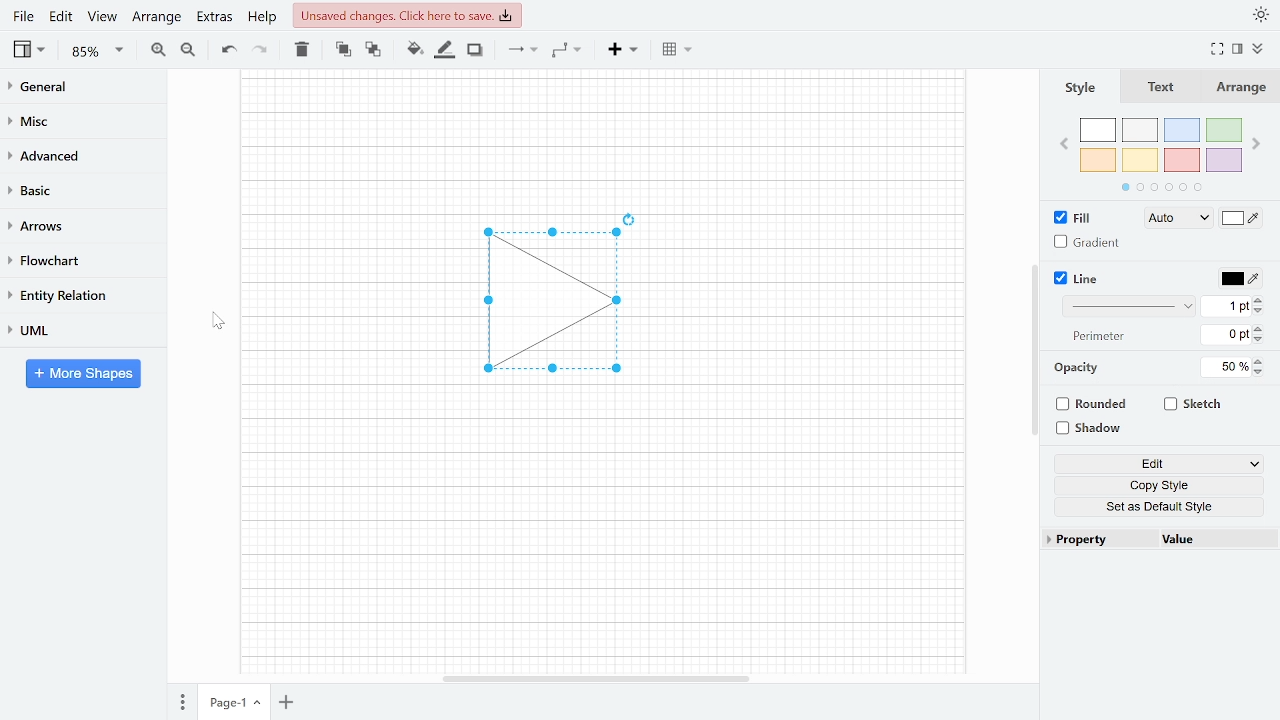 Image resolution: width=1280 pixels, height=720 pixels. Describe the element at coordinates (76, 189) in the screenshot. I see `basic` at that location.